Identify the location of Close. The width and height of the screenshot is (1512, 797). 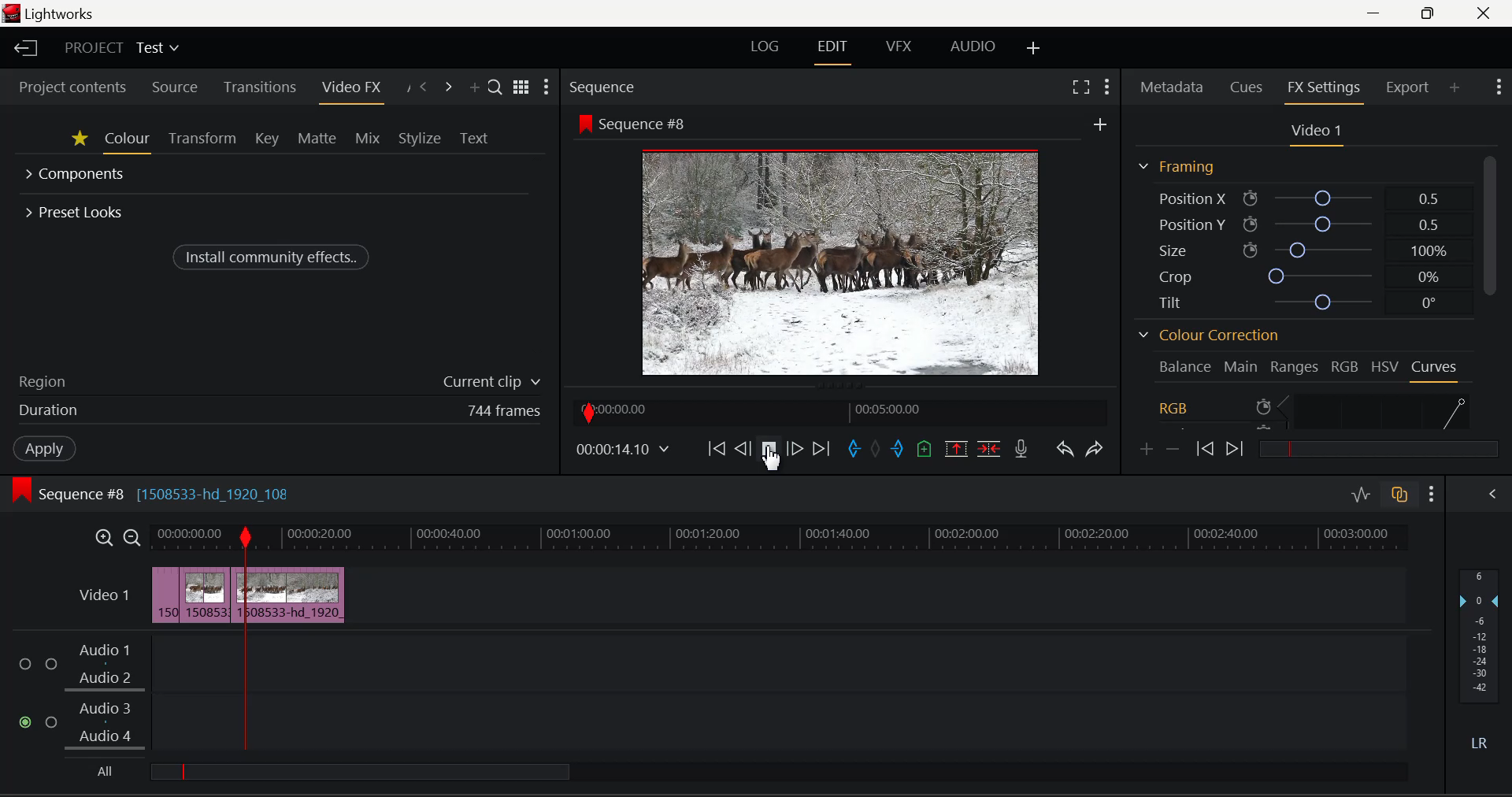
(1484, 13).